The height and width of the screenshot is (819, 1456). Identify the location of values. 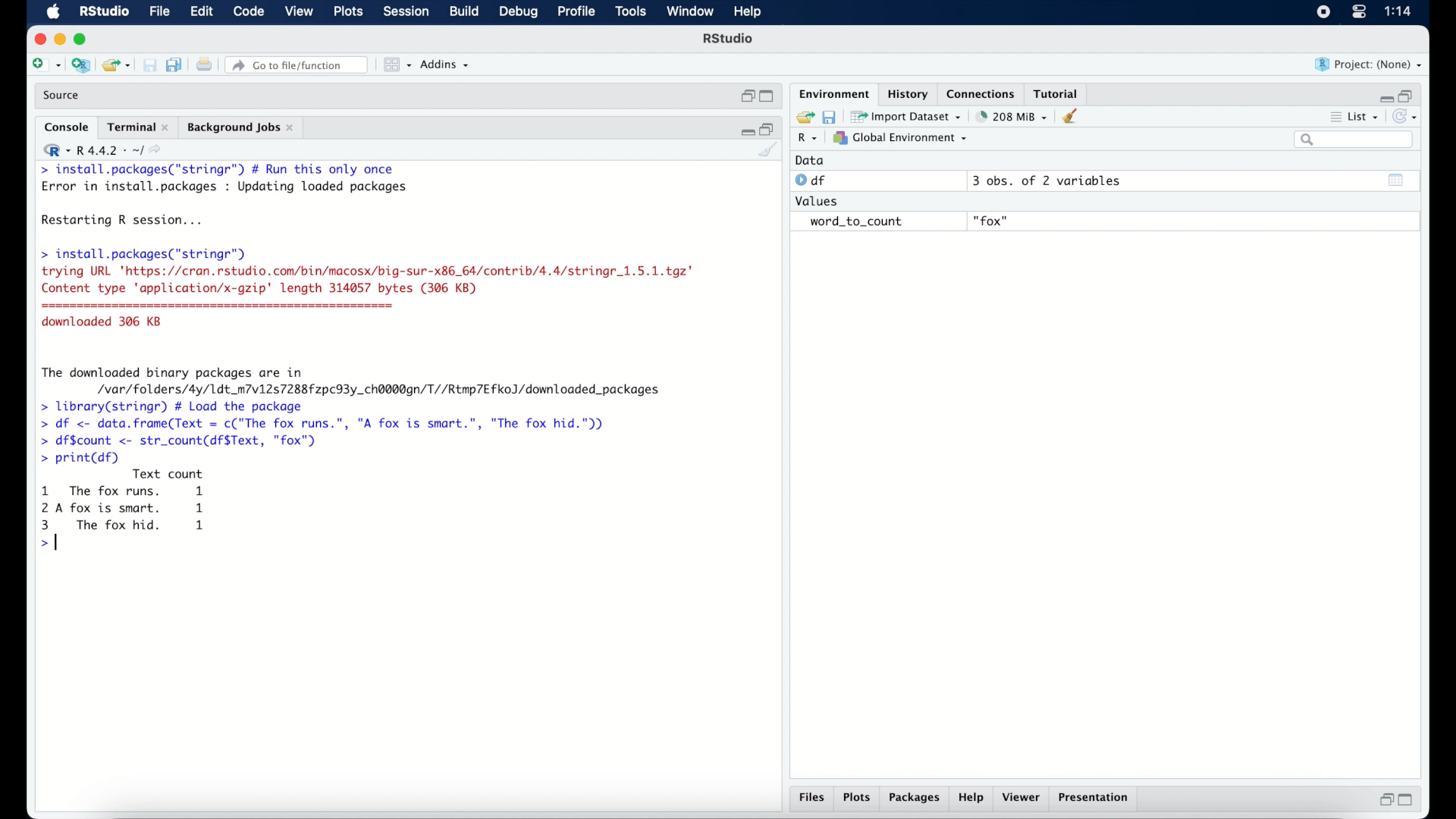
(818, 199).